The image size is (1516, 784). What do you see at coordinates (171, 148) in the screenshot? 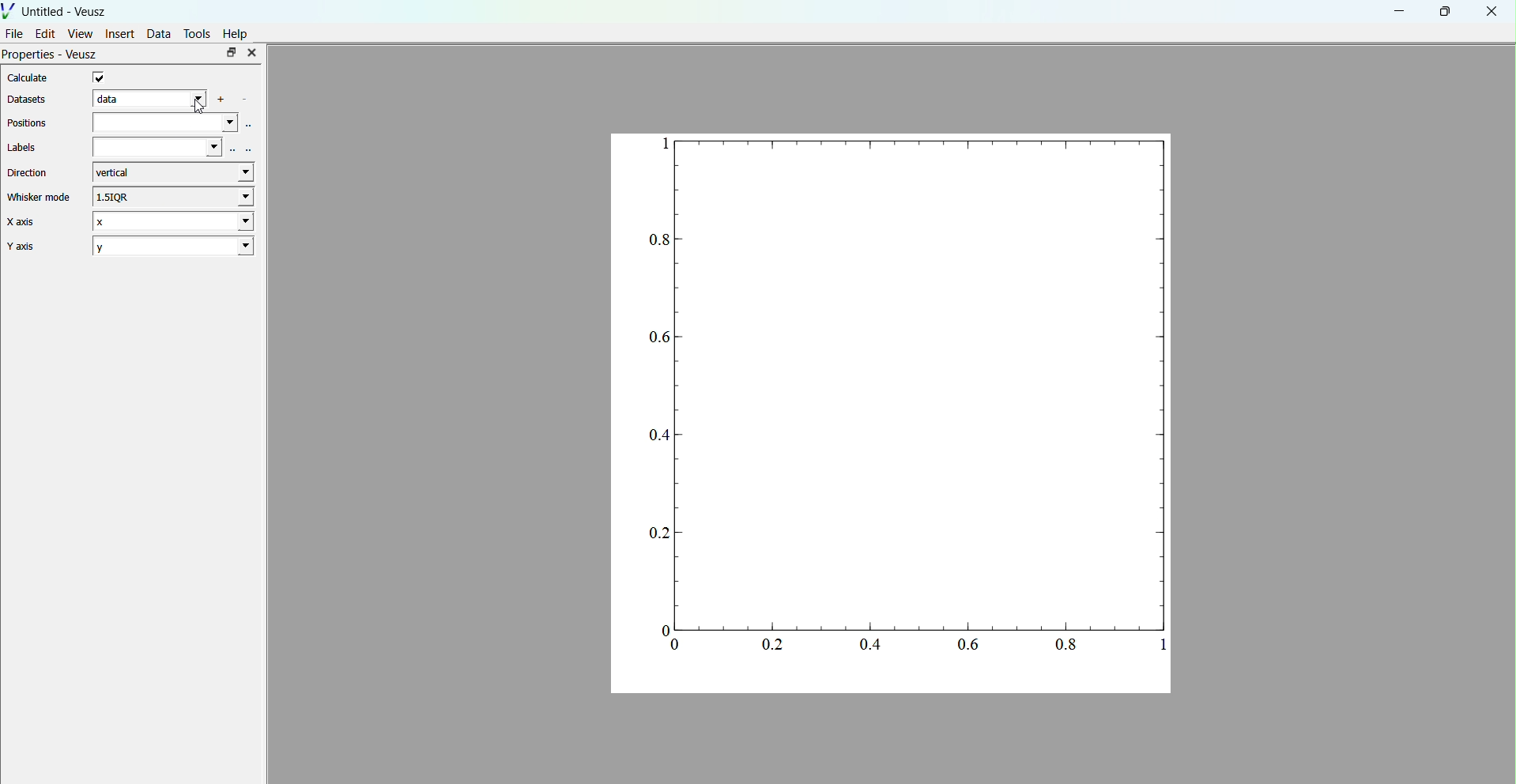
I see `labels field` at bounding box center [171, 148].